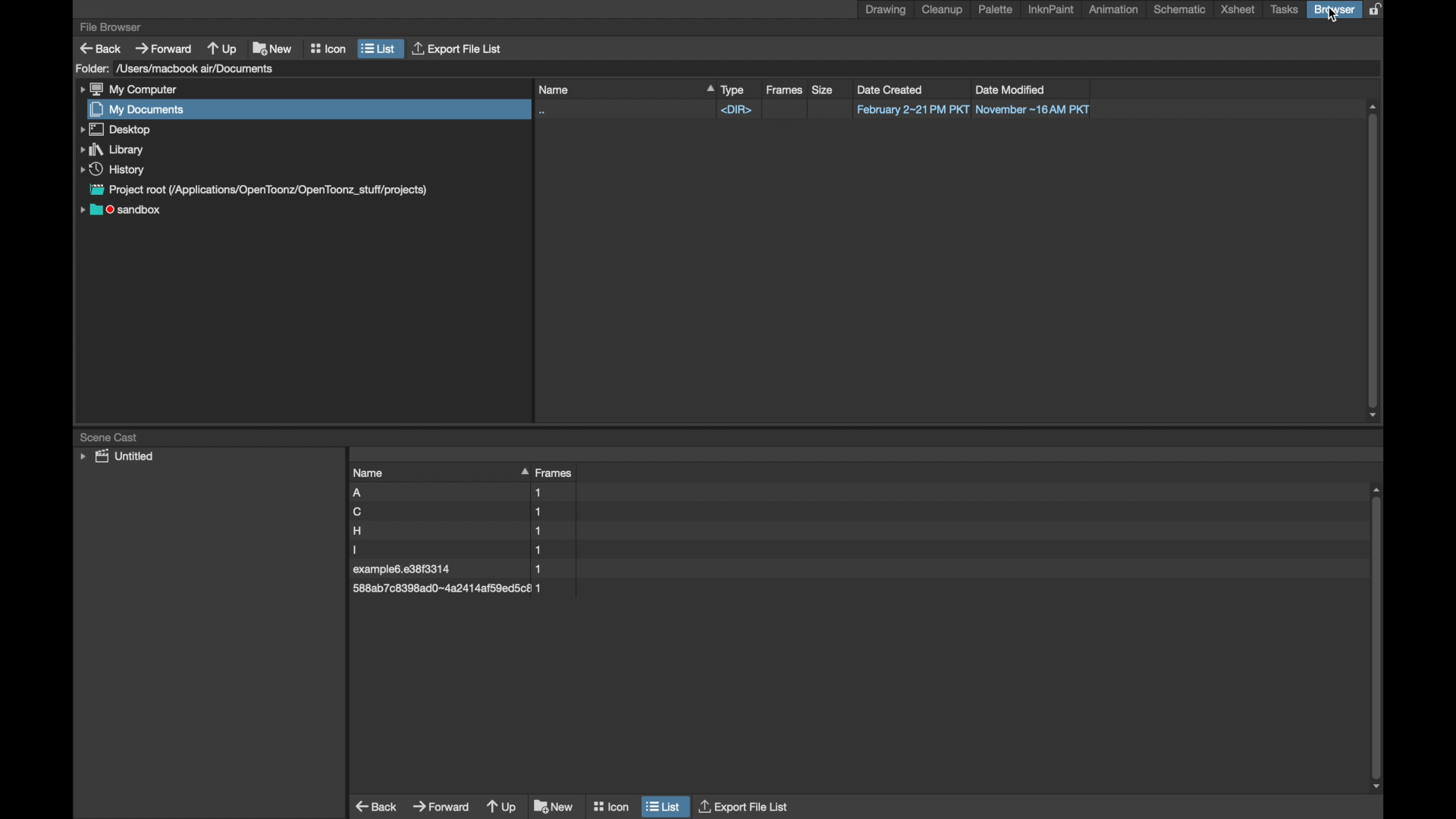 This screenshot has height=819, width=1456. Describe the element at coordinates (745, 807) in the screenshot. I see `export file list` at that location.